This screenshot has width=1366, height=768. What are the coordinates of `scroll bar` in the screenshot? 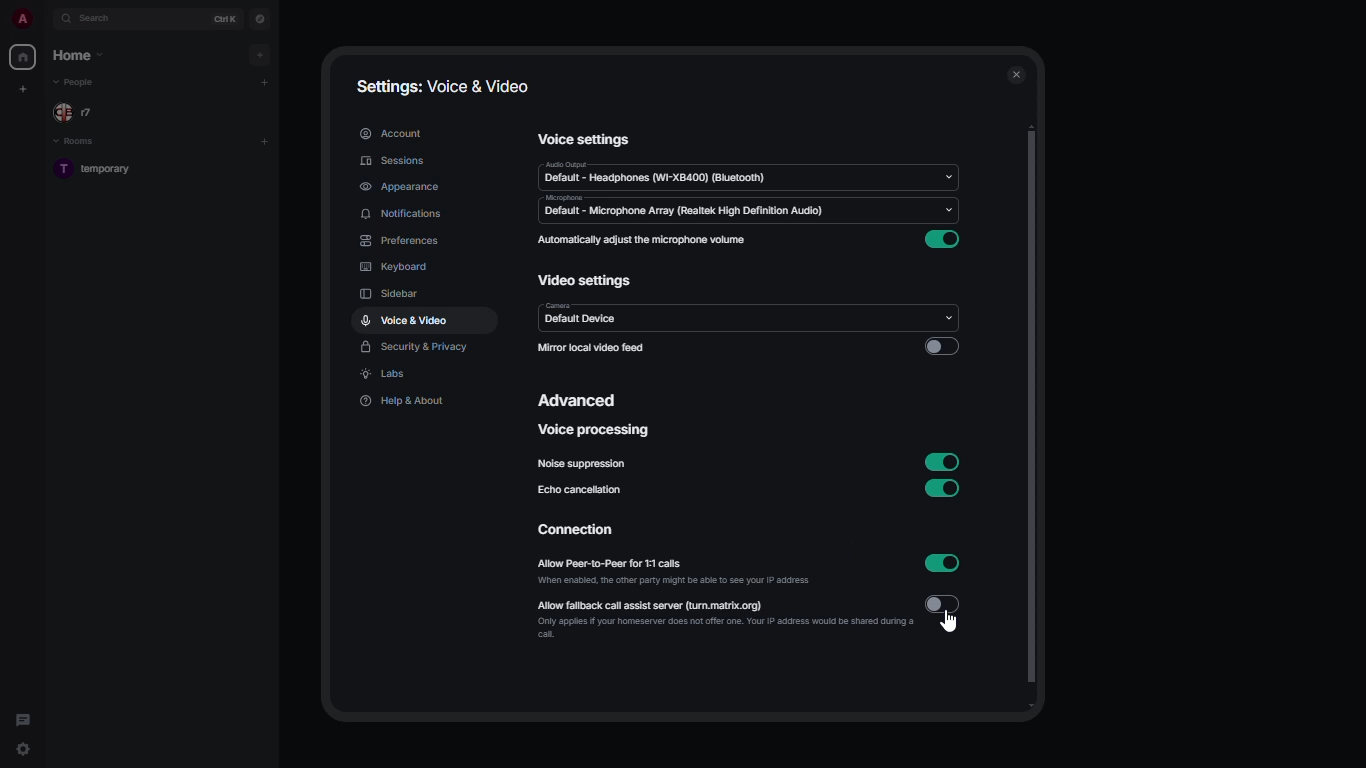 It's located at (1029, 421).